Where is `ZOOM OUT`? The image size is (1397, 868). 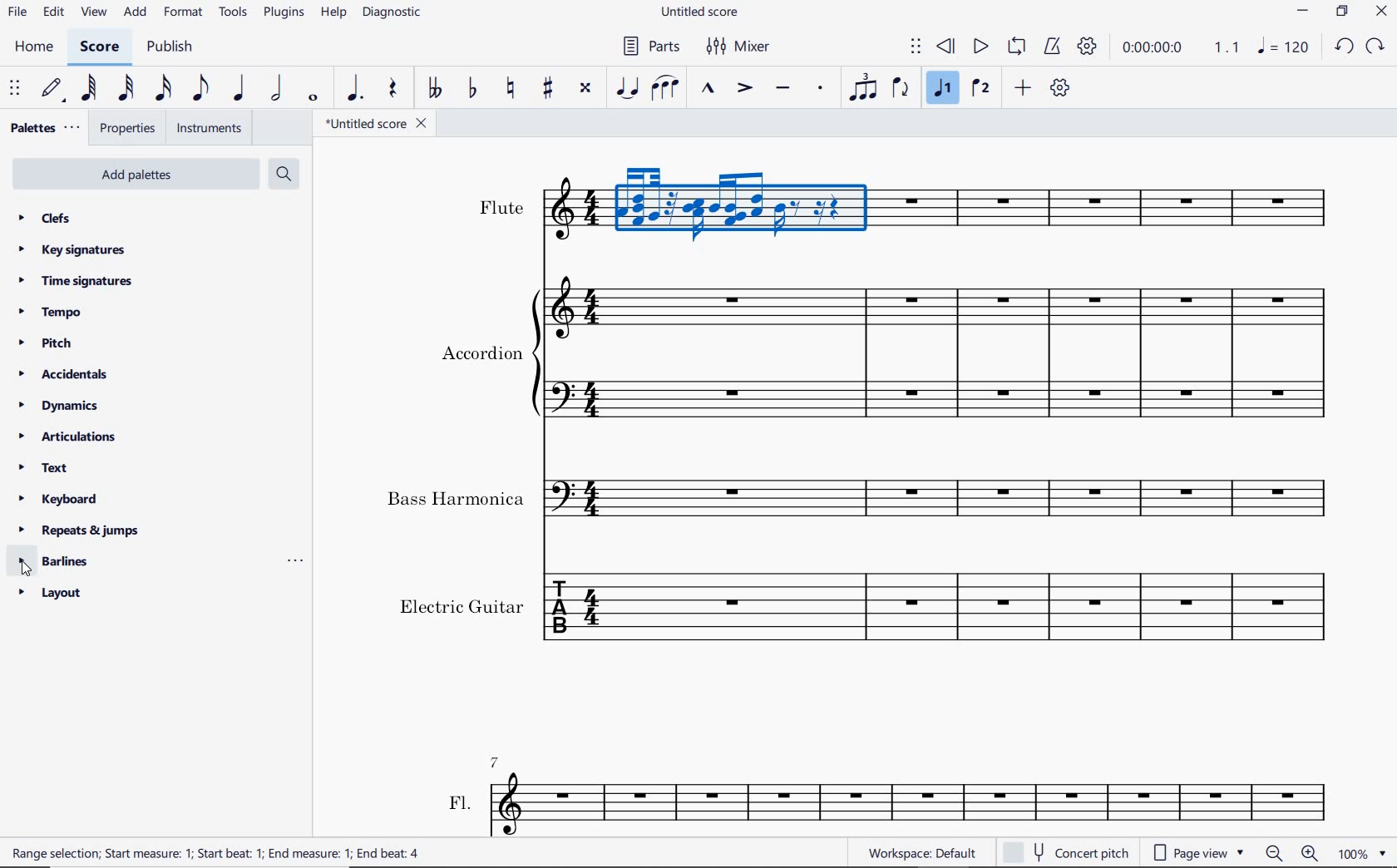 ZOOM OUT is located at coordinates (1274, 854).